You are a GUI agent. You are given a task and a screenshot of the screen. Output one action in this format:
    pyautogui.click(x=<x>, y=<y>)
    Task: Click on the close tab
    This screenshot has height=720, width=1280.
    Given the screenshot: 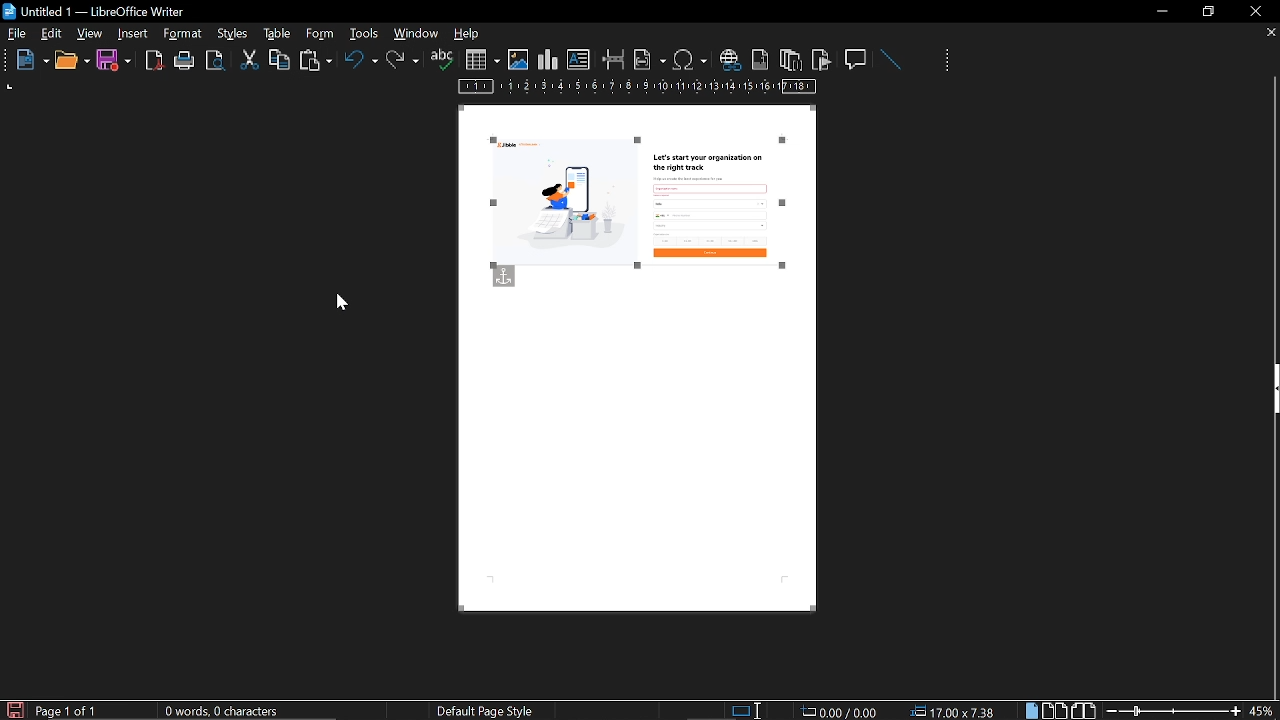 What is the action you would take?
    pyautogui.click(x=1271, y=34)
    